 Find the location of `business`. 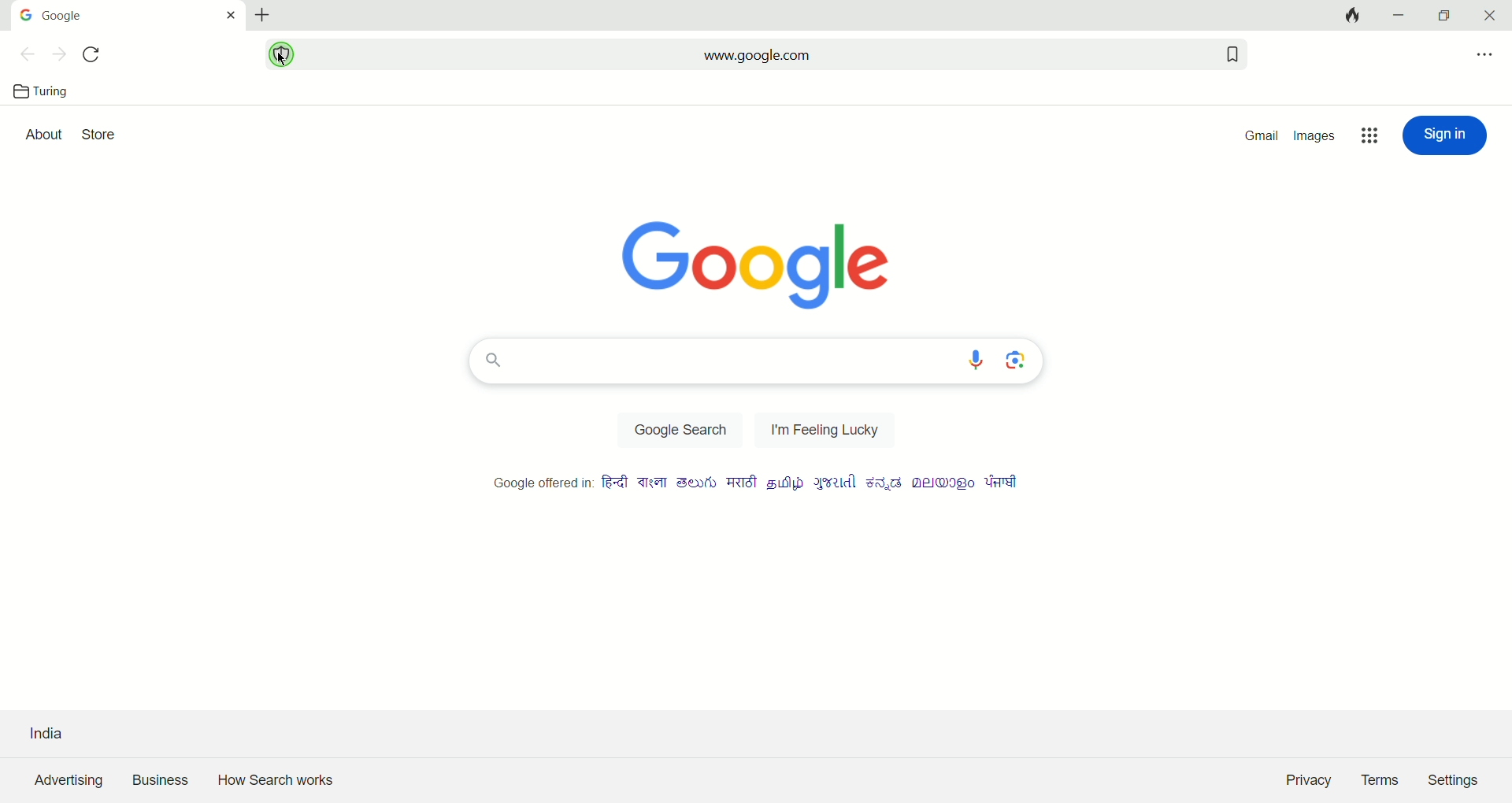

business is located at coordinates (160, 781).